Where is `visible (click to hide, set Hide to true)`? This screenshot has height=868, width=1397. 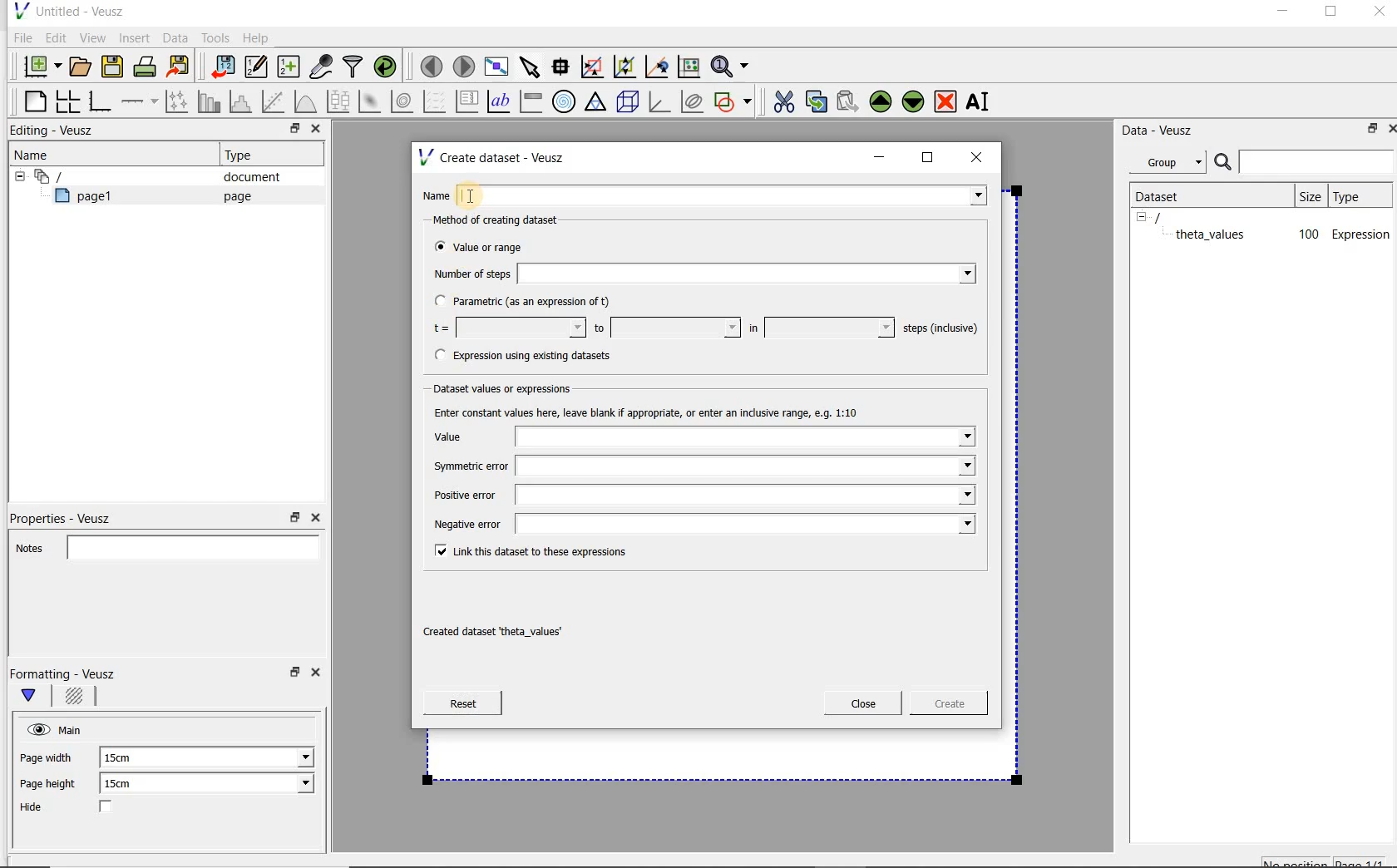 visible (click to hide, set Hide to true) is located at coordinates (36, 729).